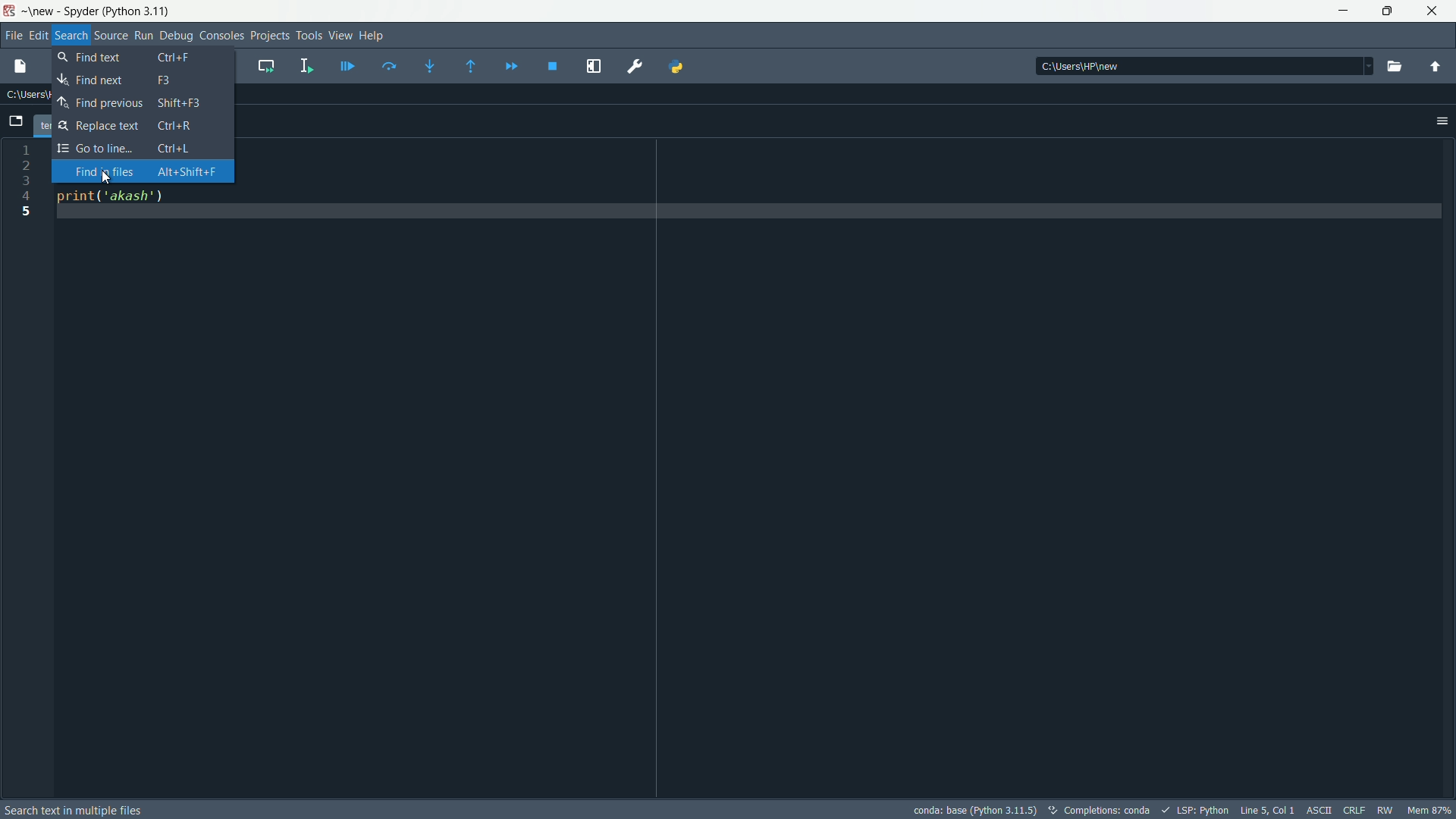  Describe the element at coordinates (177, 36) in the screenshot. I see `debug menu` at that location.